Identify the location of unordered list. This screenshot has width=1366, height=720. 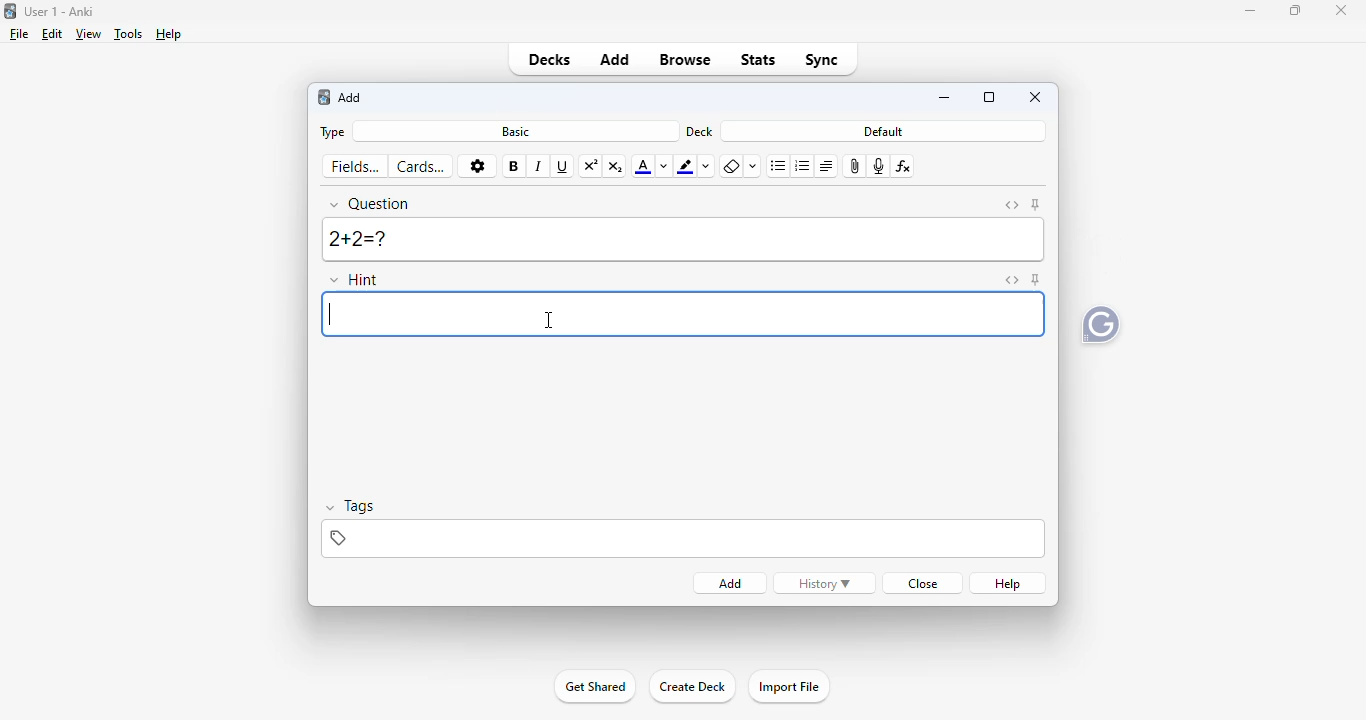
(778, 167).